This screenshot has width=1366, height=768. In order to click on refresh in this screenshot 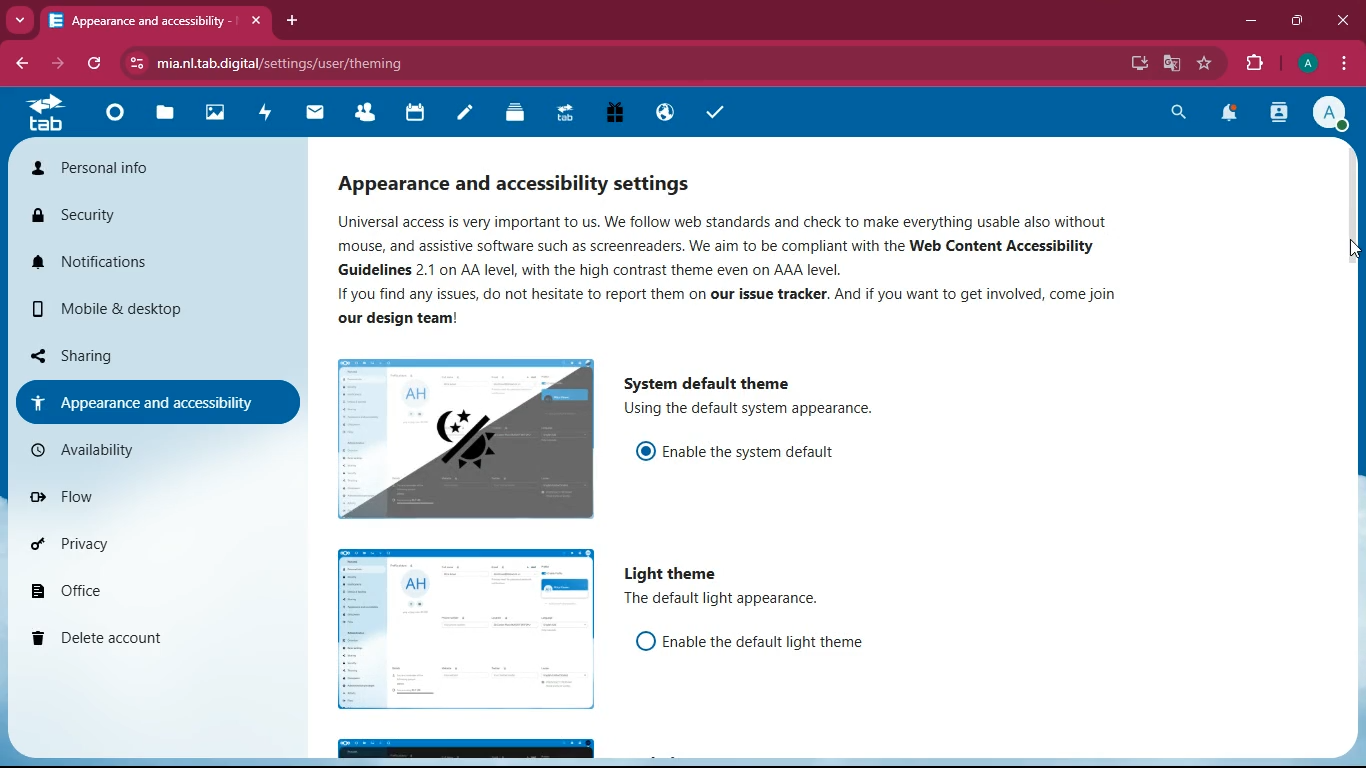, I will do `click(96, 64)`.